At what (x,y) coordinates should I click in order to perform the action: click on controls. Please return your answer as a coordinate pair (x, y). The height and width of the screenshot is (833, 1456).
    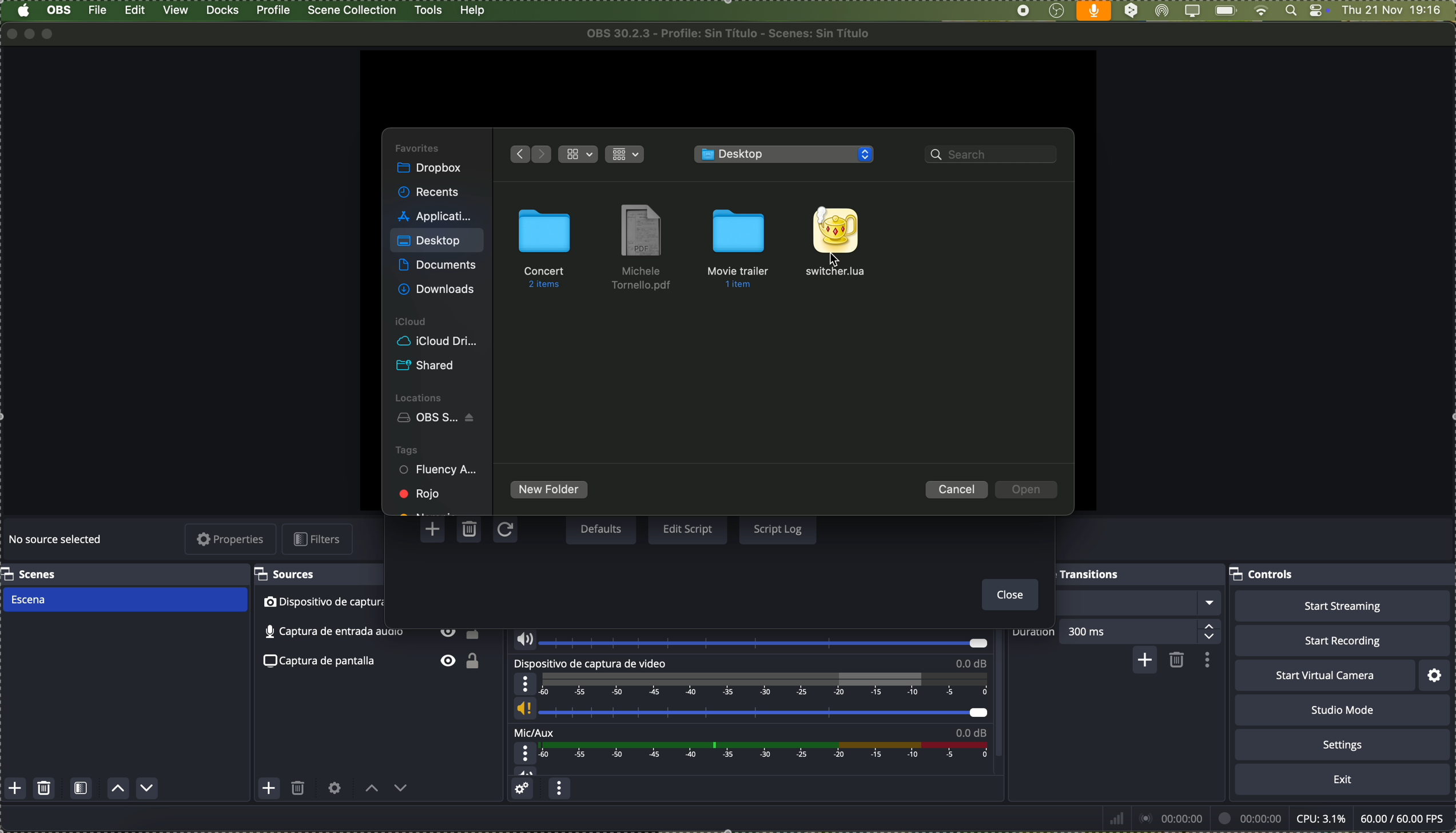
    Looking at the image, I should click on (1264, 576).